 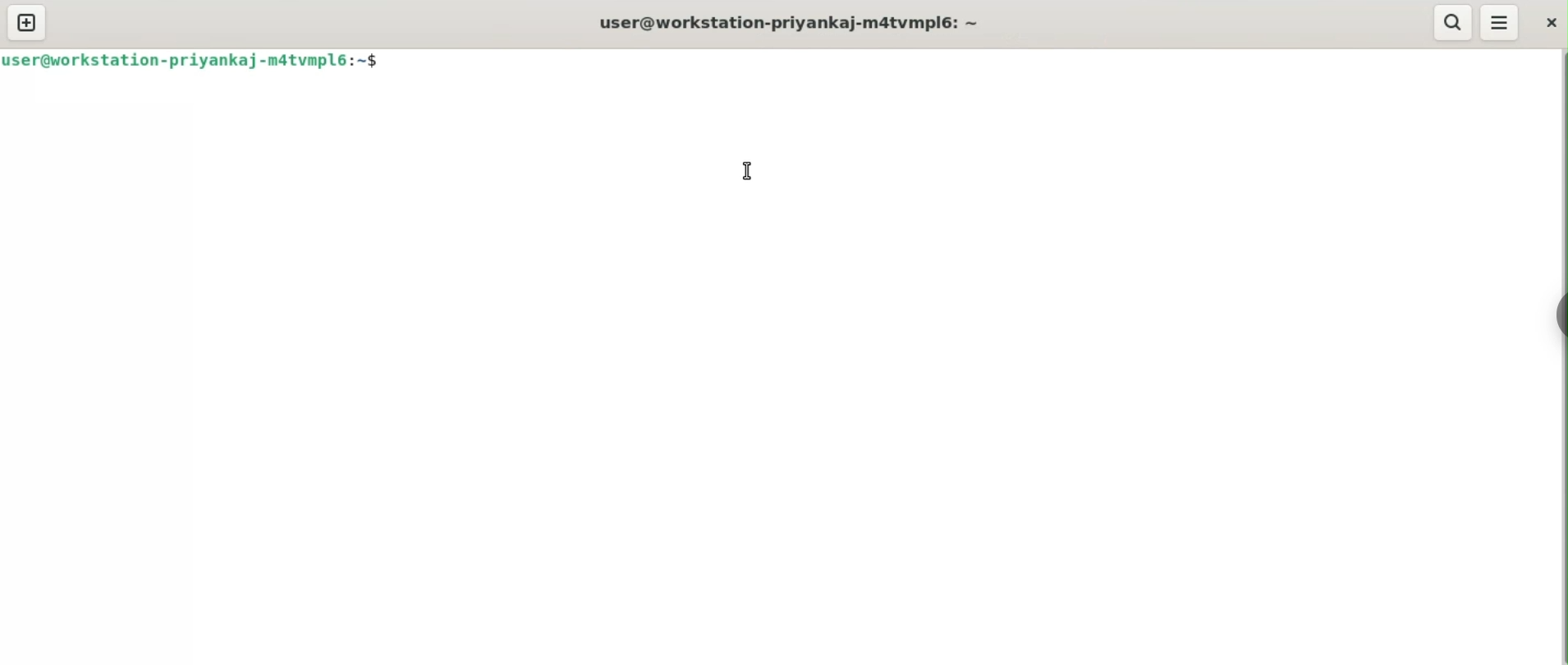 What do you see at coordinates (747, 174) in the screenshot?
I see `cursor` at bounding box center [747, 174].